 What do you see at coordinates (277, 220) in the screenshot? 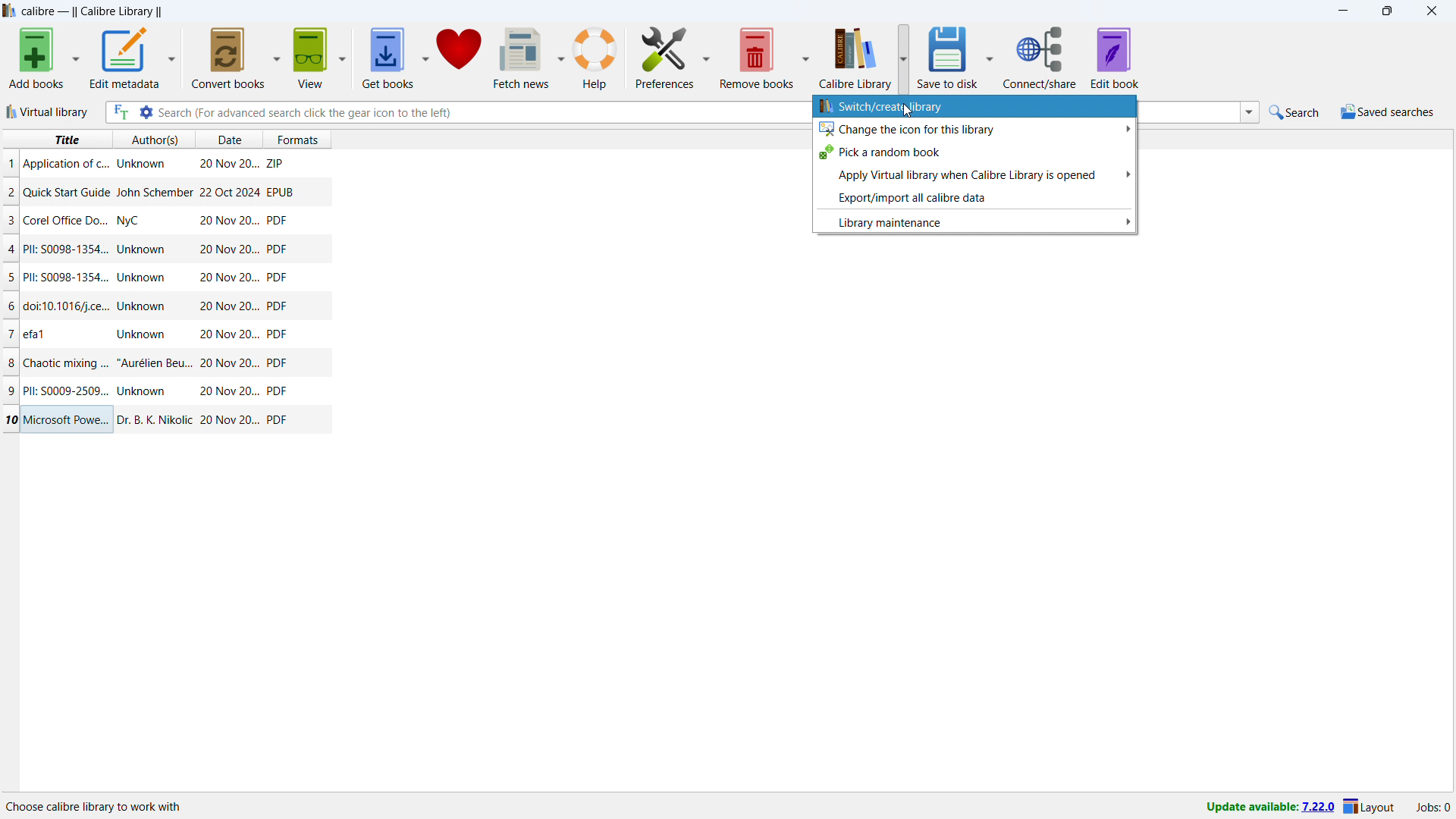
I see `PDF` at bounding box center [277, 220].